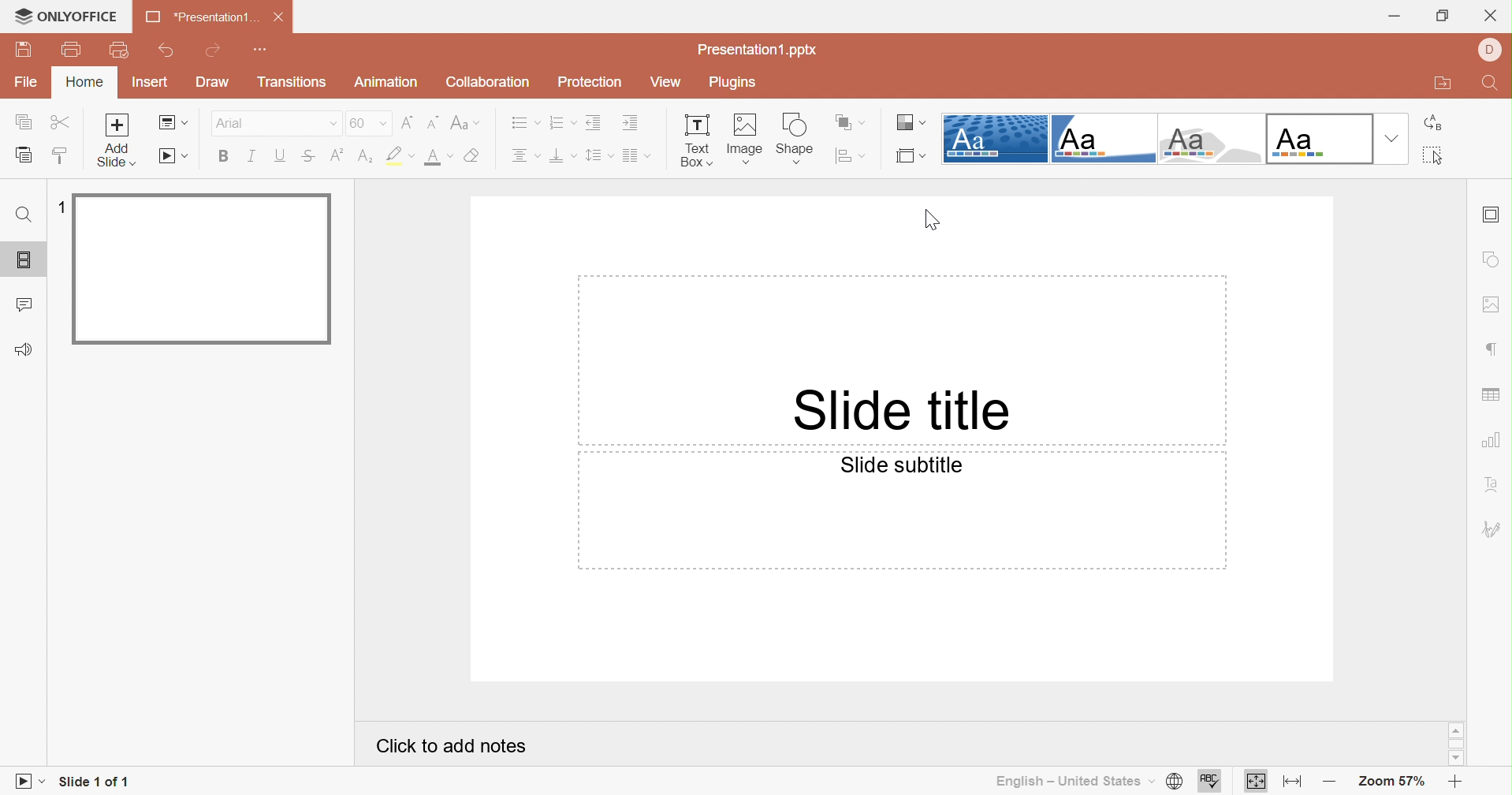  I want to click on Zoom 57%, so click(1394, 783).